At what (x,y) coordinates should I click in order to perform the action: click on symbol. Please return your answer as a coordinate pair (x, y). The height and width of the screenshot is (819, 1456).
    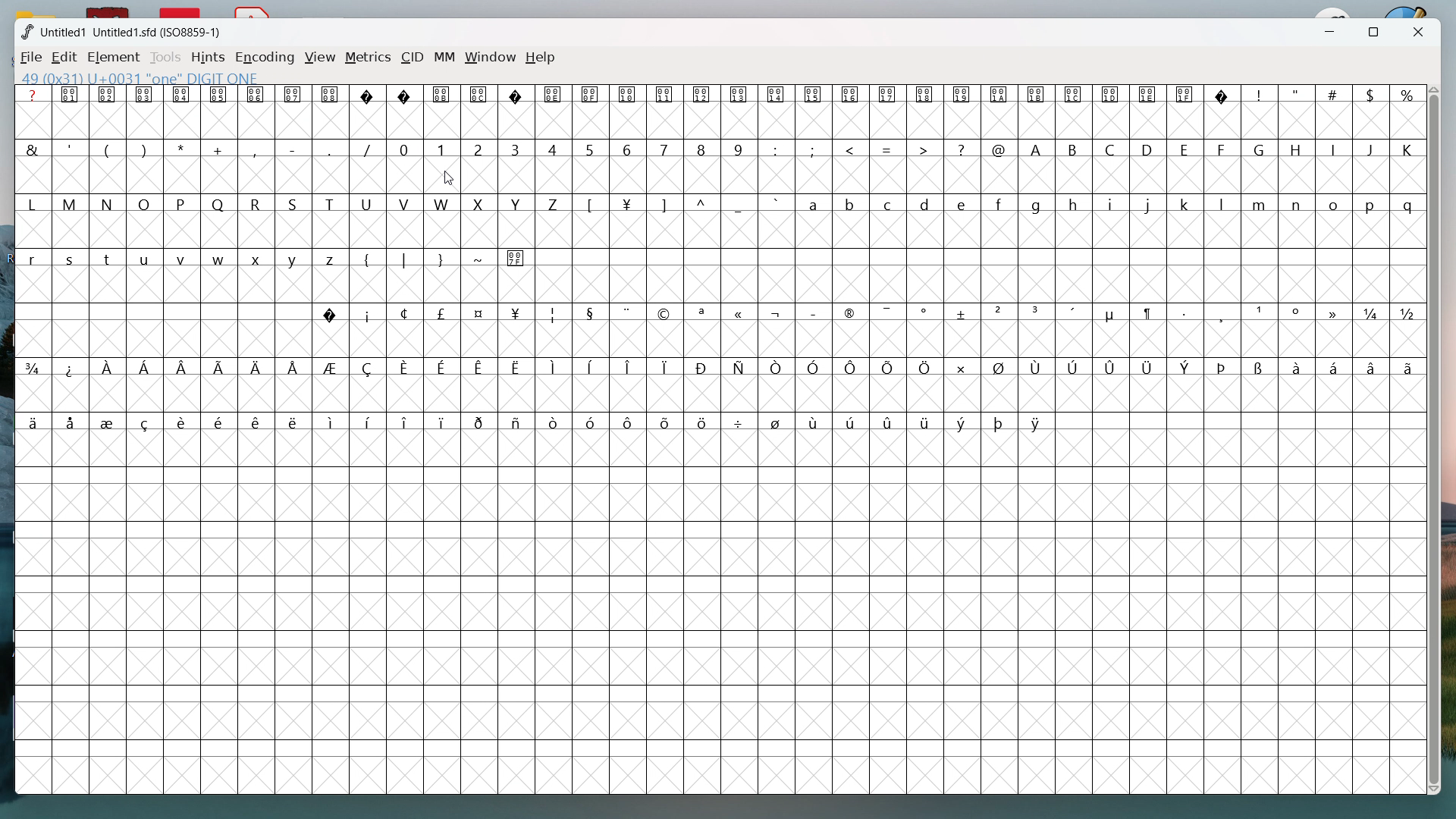
    Looking at the image, I should click on (702, 313).